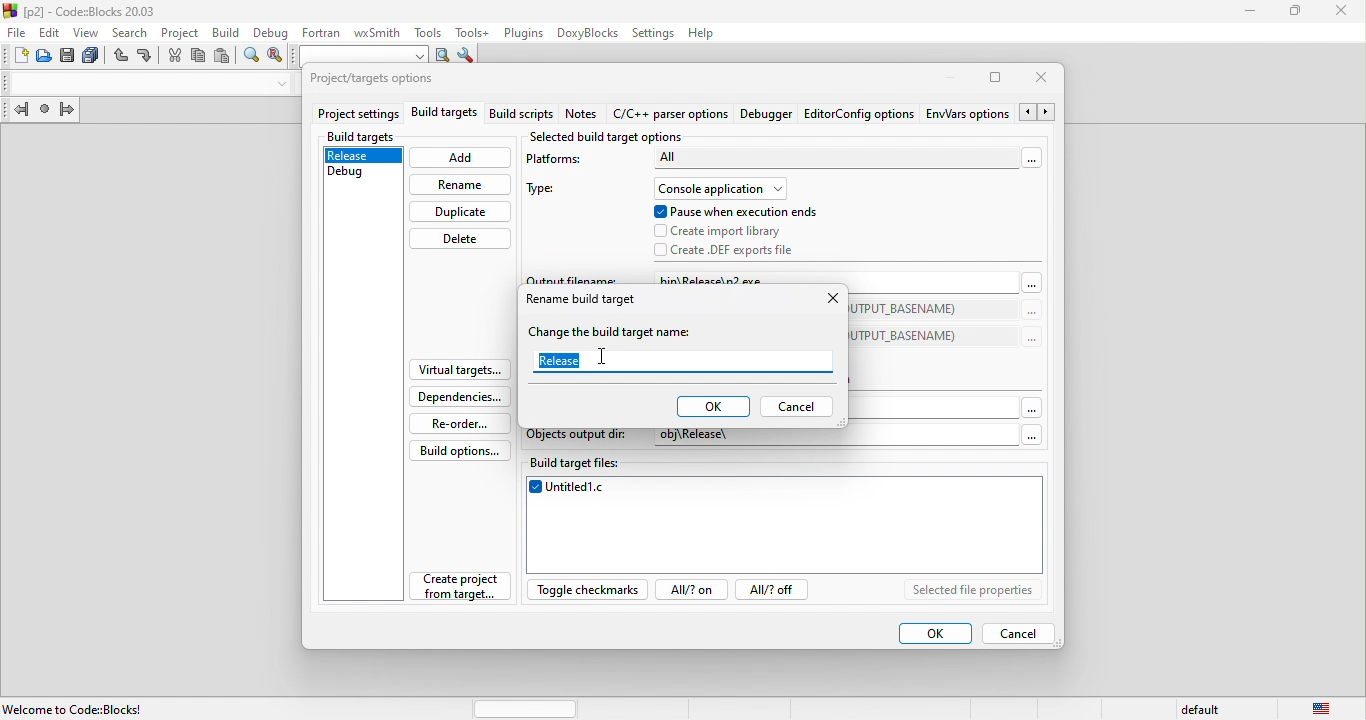  I want to click on create def exports file, so click(742, 250).